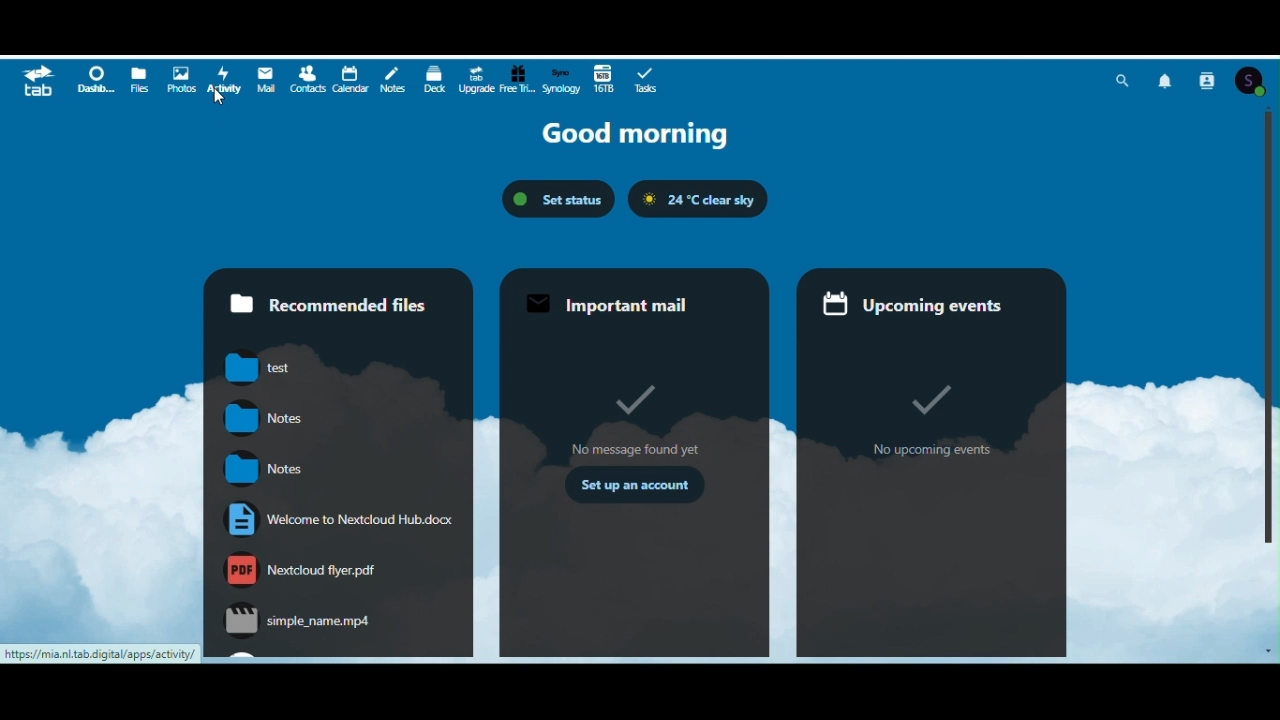 The image size is (1280, 720). What do you see at coordinates (349, 79) in the screenshot?
I see `Calendar` at bounding box center [349, 79].